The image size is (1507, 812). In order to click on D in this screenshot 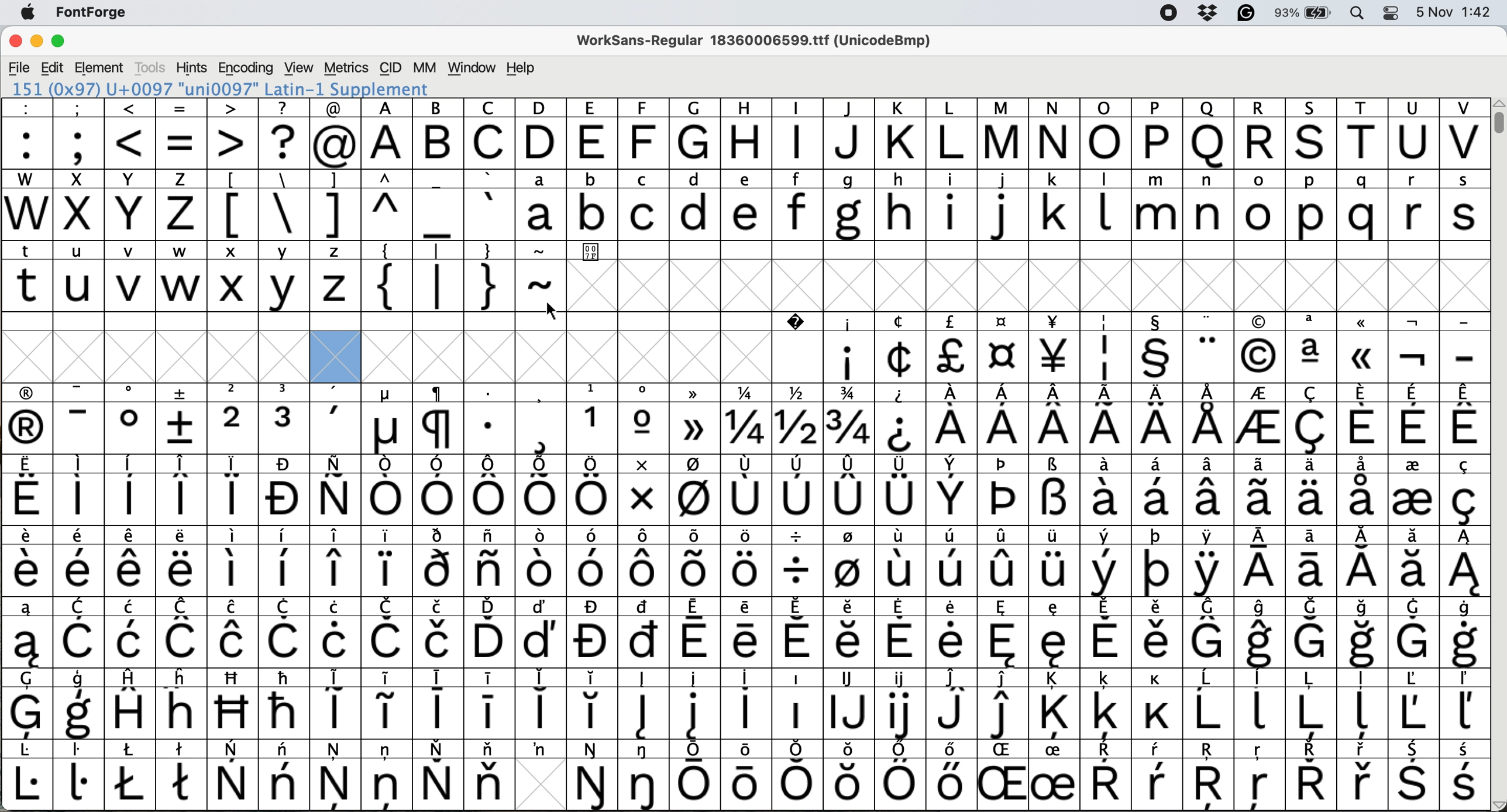, I will do `click(541, 133)`.